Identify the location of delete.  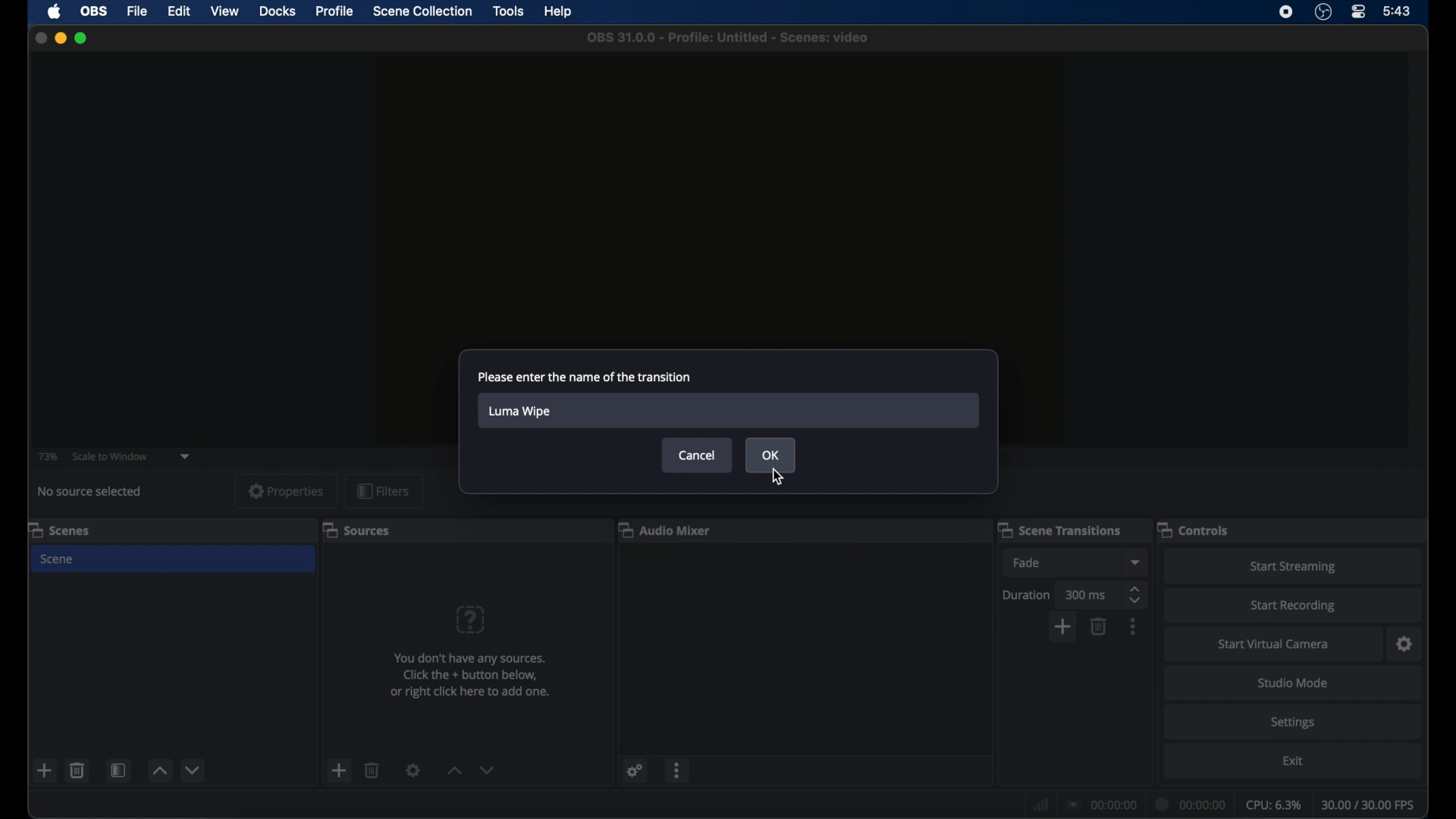
(77, 771).